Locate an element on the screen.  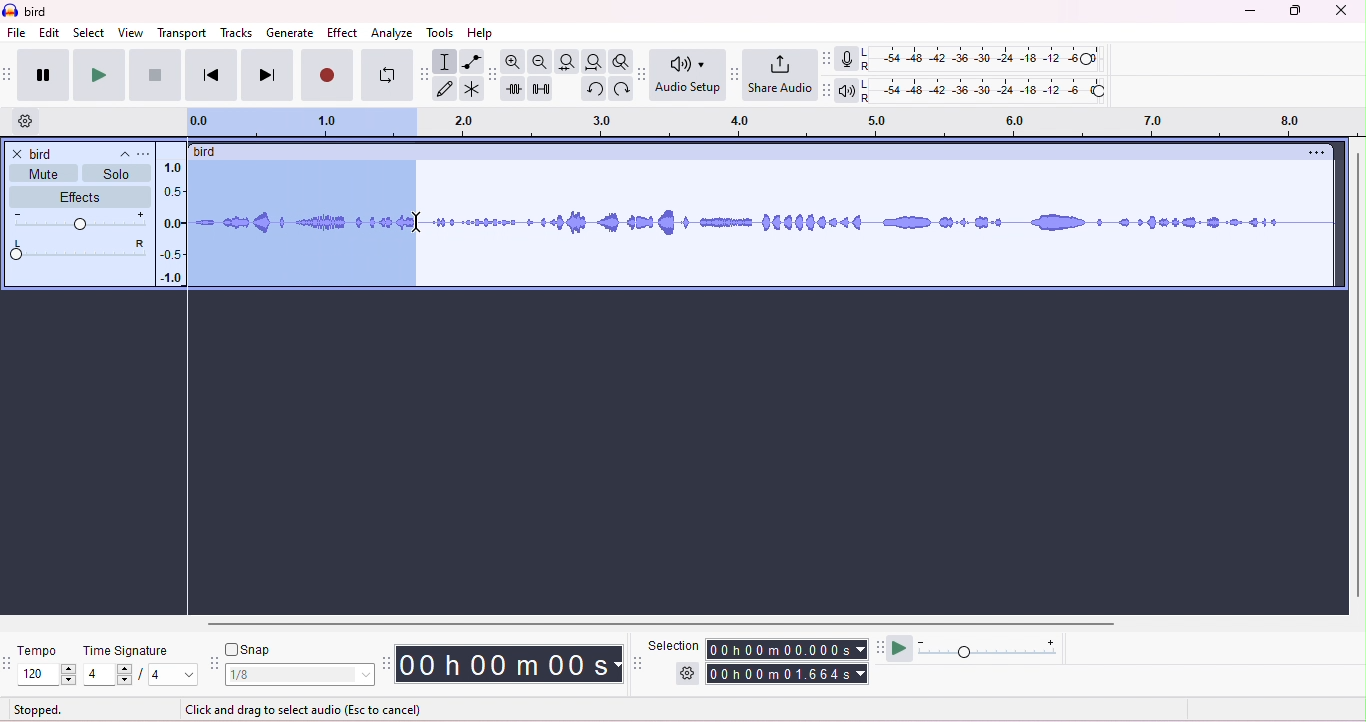
previous is located at coordinates (210, 76).